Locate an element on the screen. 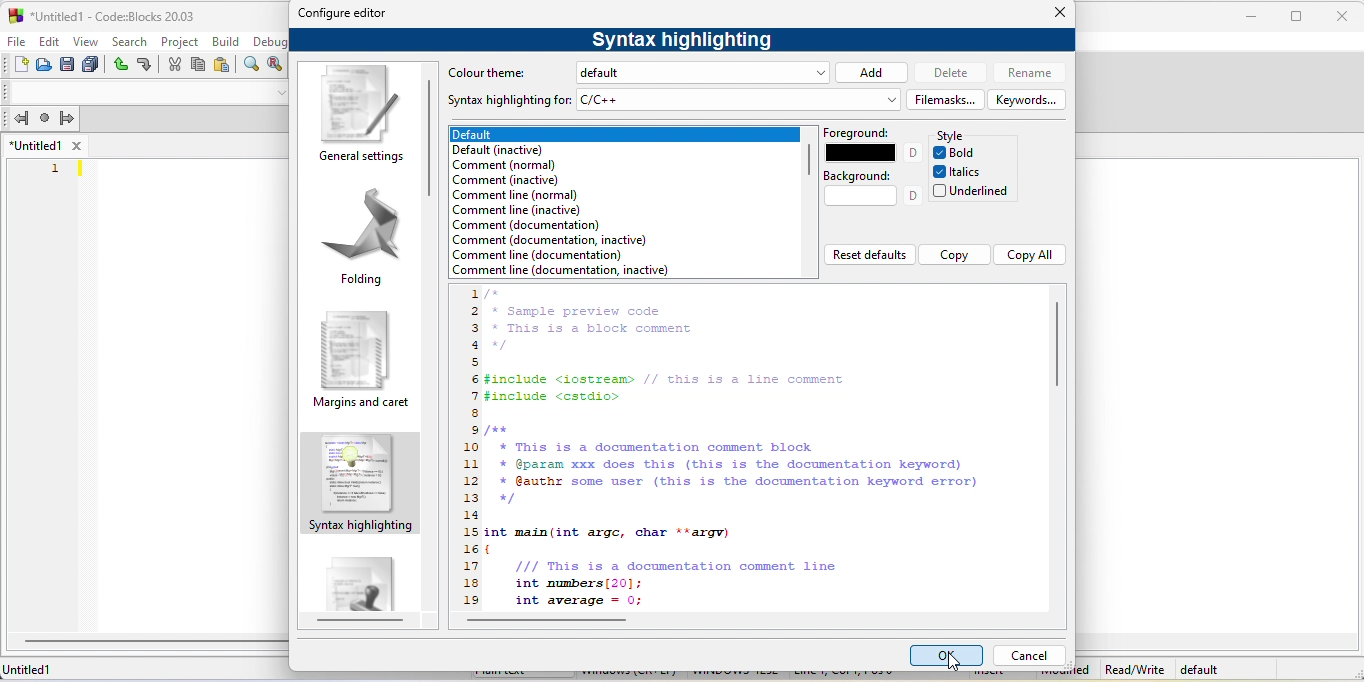 This screenshot has height=682, width=1364. cursor movement is located at coordinates (954, 662).